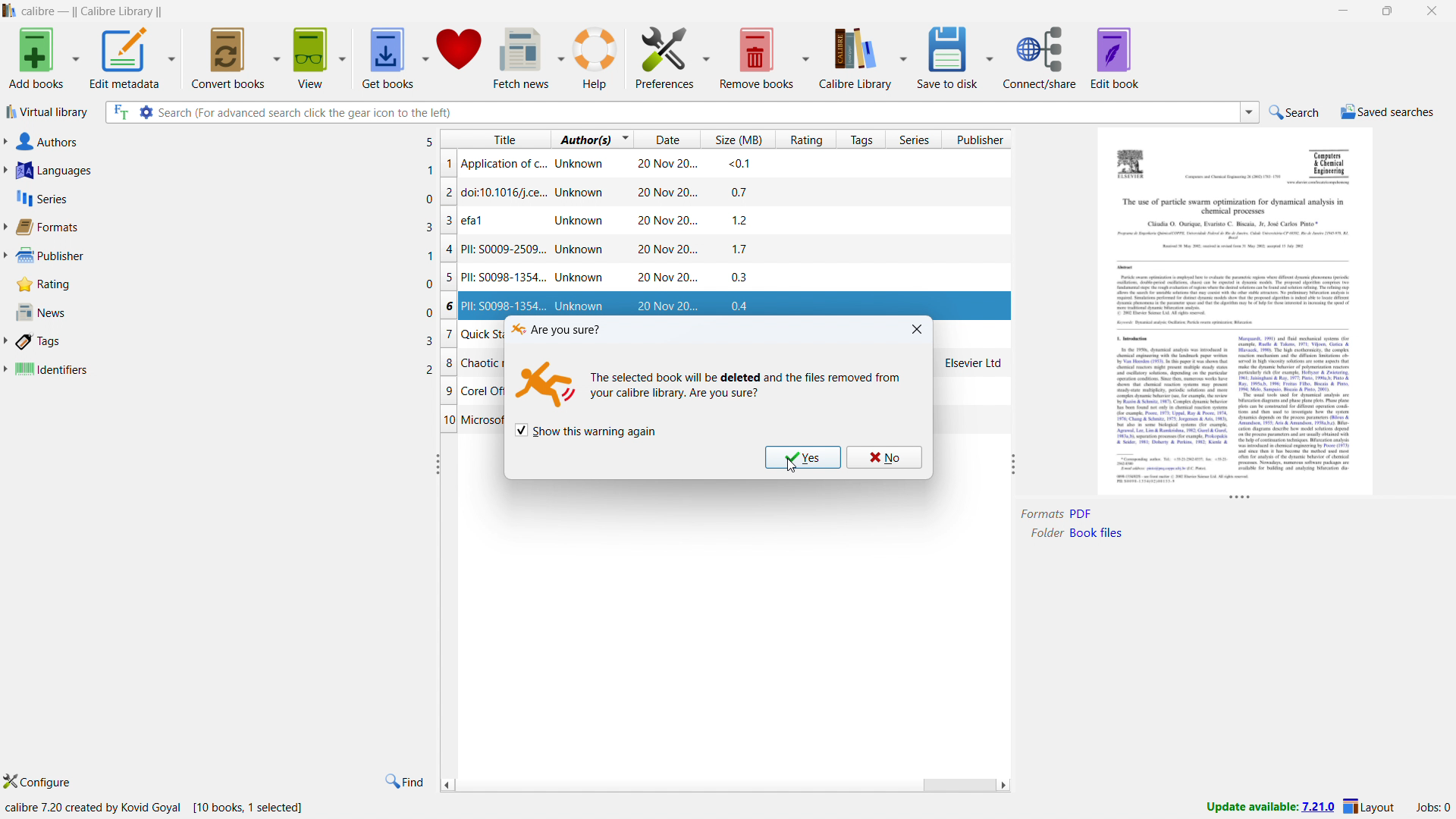 This screenshot has height=819, width=1456. What do you see at coordinates (803, 458) in the screenshot?
I see `yes` at bounding box center [803, 458].